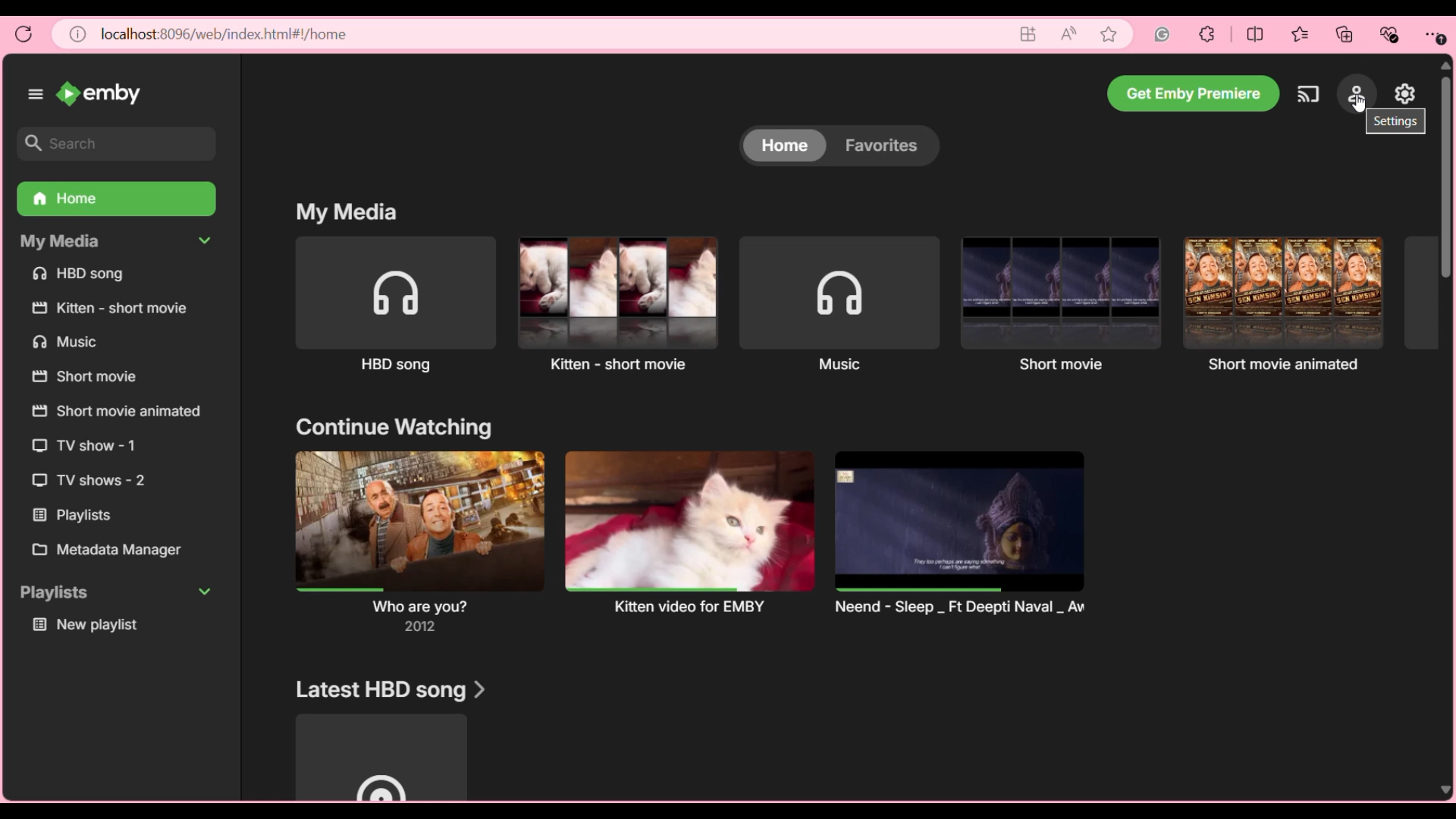 The height and width of the screenshot is (819, 1456). Describe the element at coordinates (99, 93) in the screenshot. I see `emby` at that location.